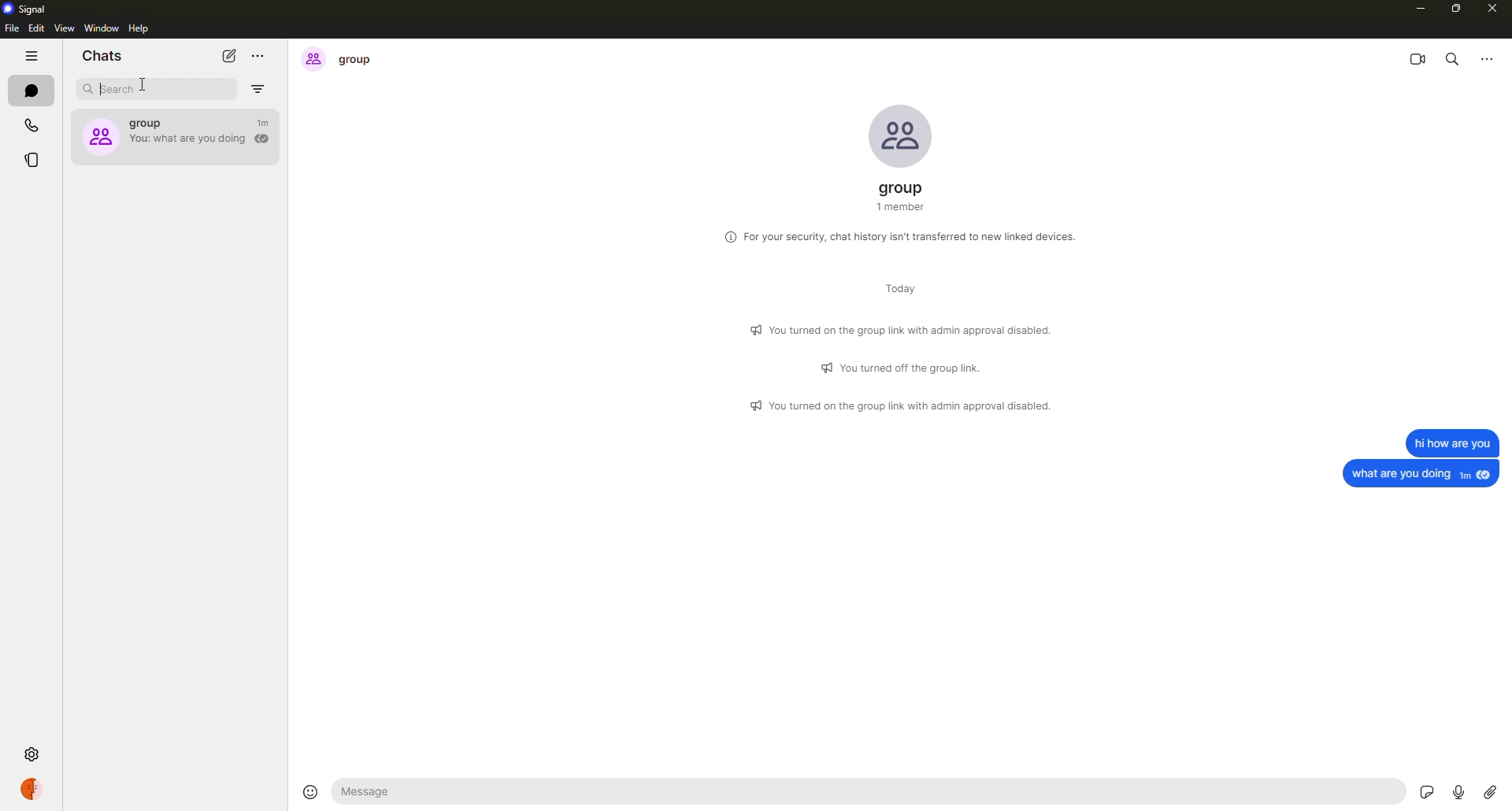  I want to click on profile pic, so click(899, 135).